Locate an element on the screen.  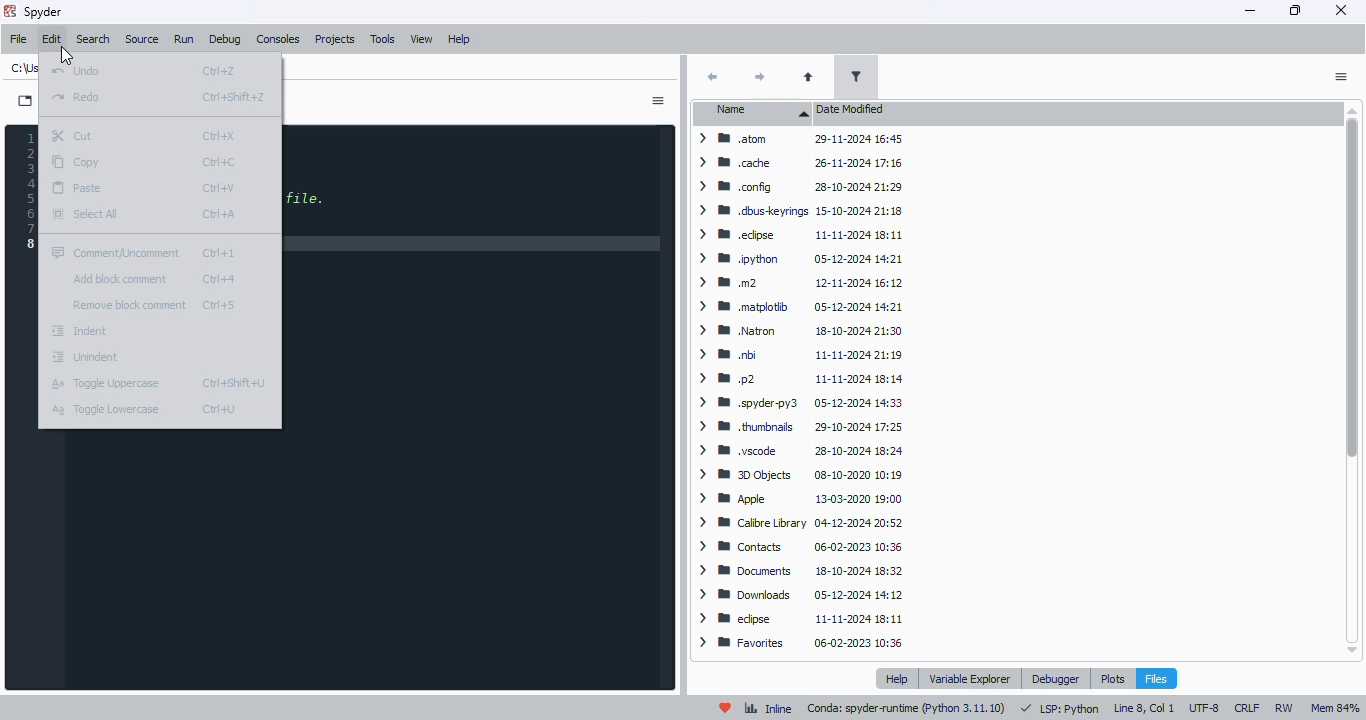
> BB 3DObjects 08-10-2020 10:19 is located at coordinates (801, 476).